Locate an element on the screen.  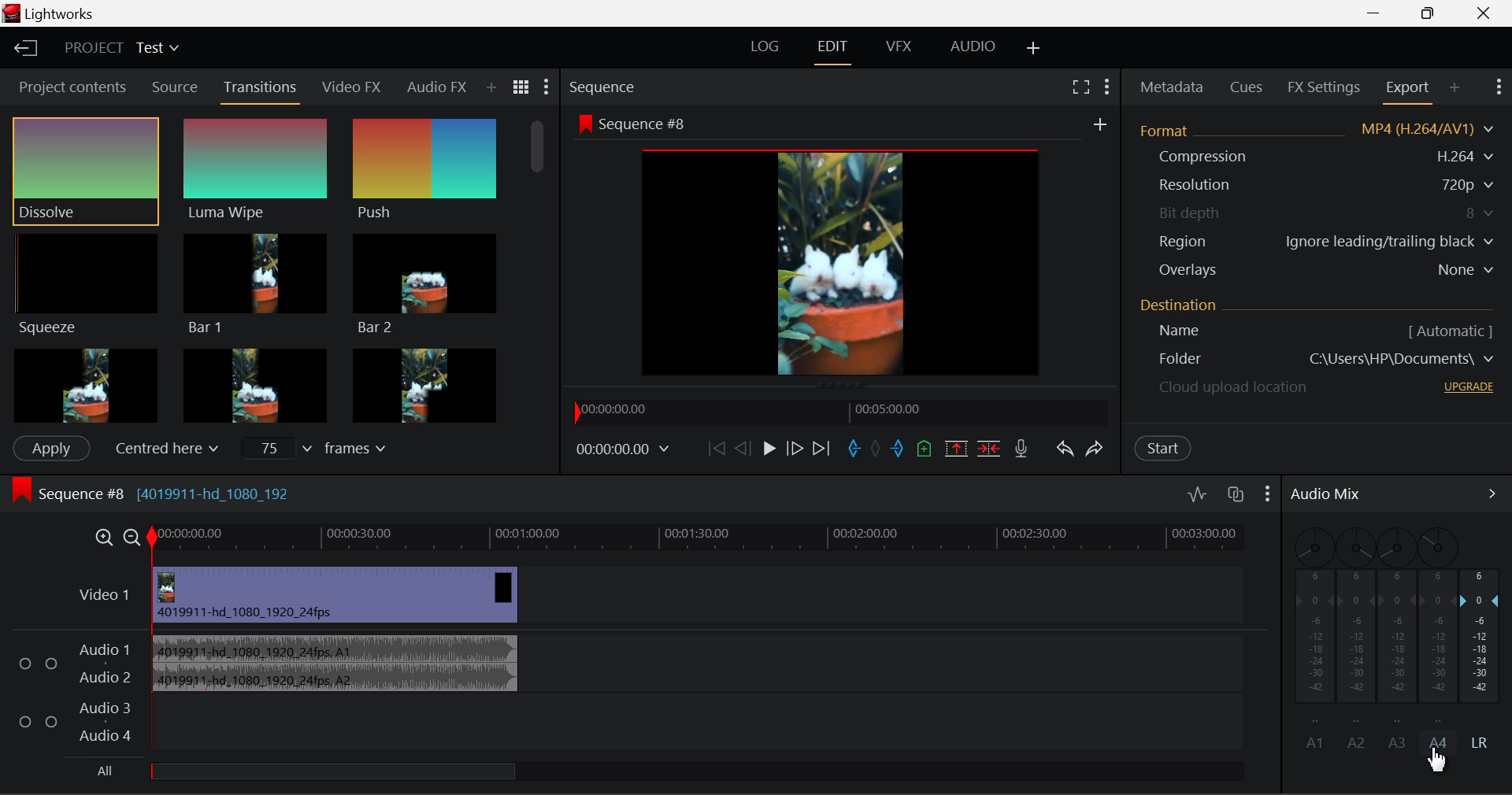
Box 2 is located at coordinates (254, 384).